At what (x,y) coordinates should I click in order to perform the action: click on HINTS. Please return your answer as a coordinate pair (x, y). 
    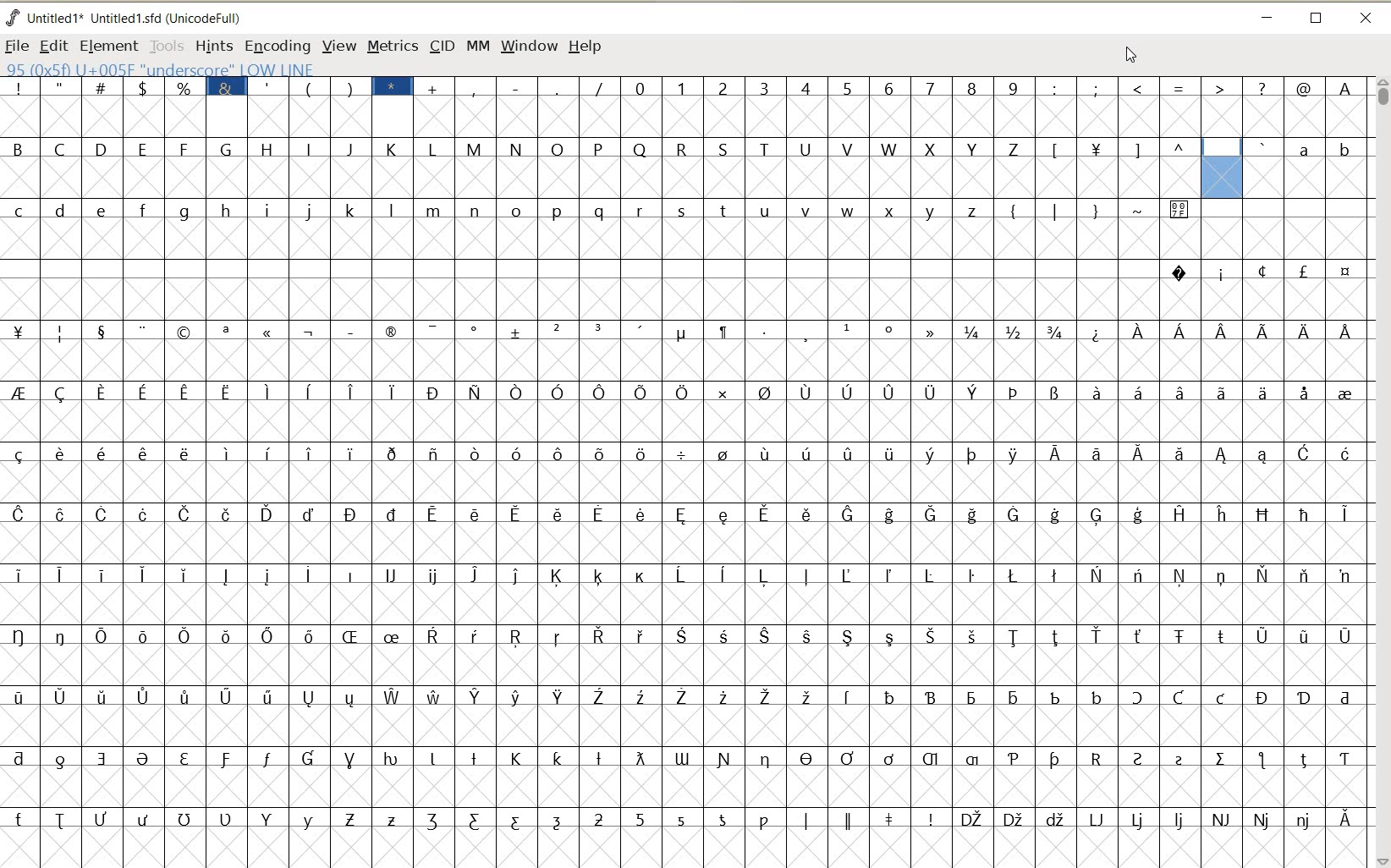
    Looking at the image, I should click on (213, 46).